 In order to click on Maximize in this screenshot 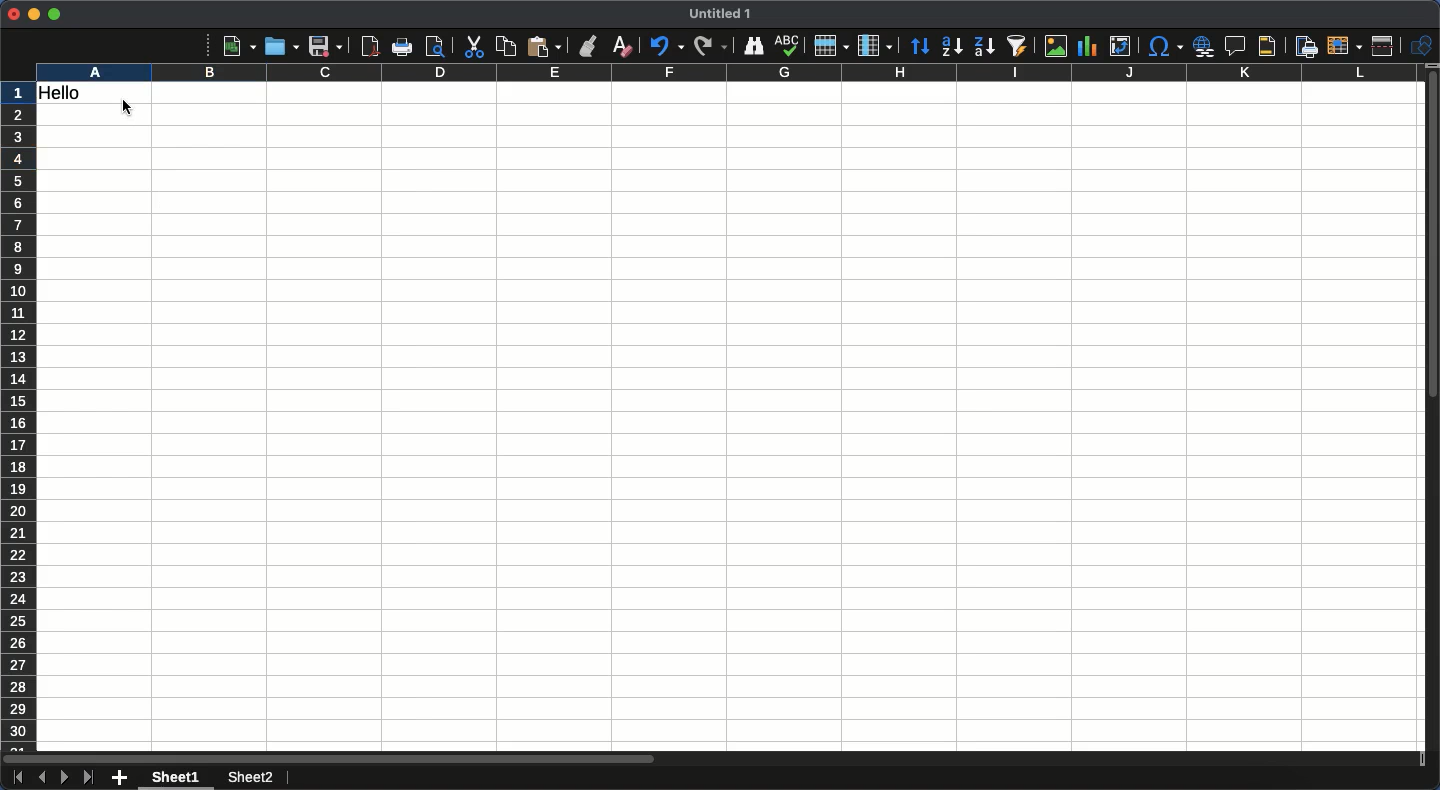, I will do `click(54, 14)`.